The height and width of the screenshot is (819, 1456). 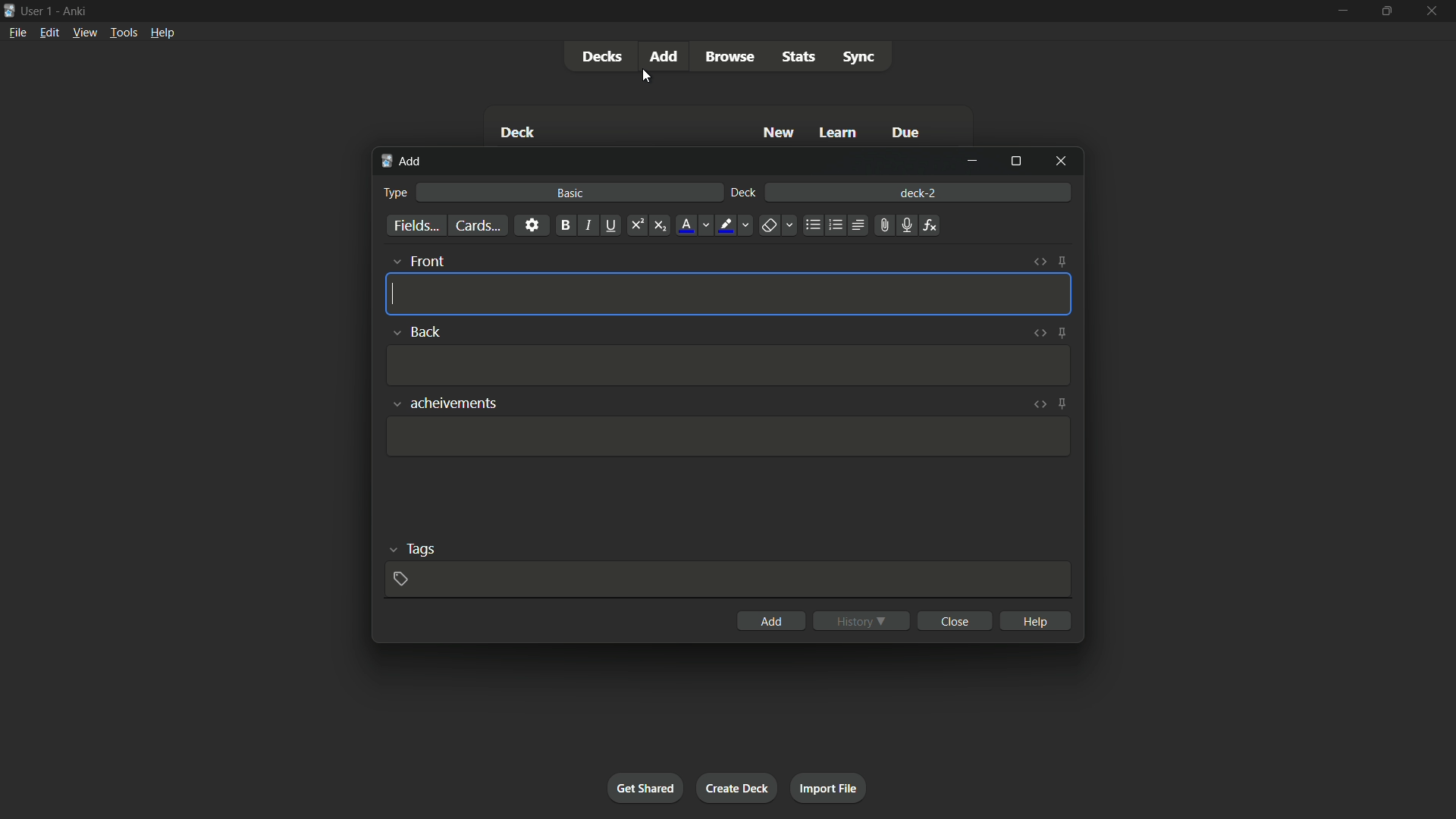 What do you see at coordinates (533, 225) in the screenshot?
I see `settings` at bounding box center [533, 225].